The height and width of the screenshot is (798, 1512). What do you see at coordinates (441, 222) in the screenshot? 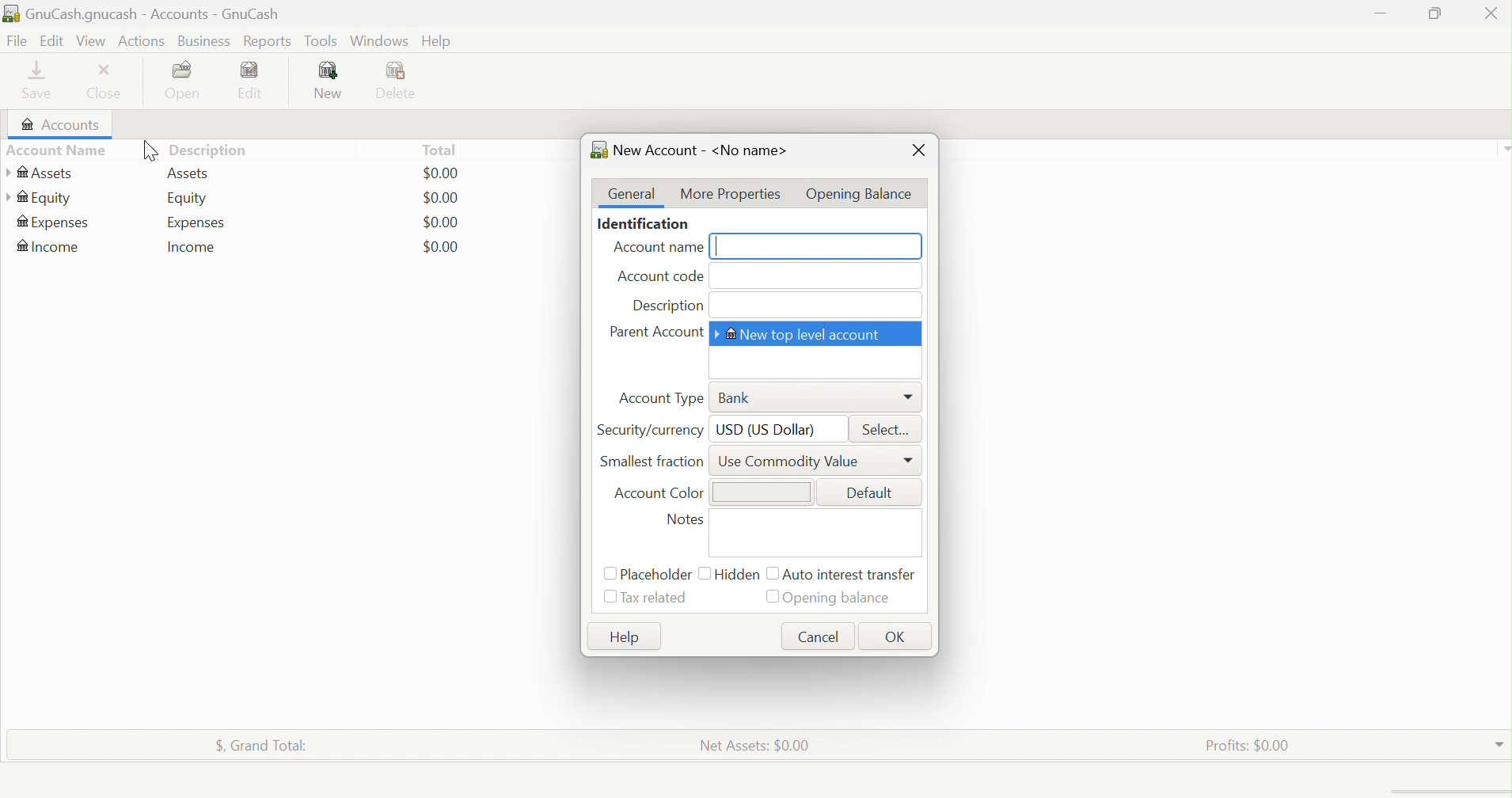
I see `$0.00` at bounding box center [441, 222].